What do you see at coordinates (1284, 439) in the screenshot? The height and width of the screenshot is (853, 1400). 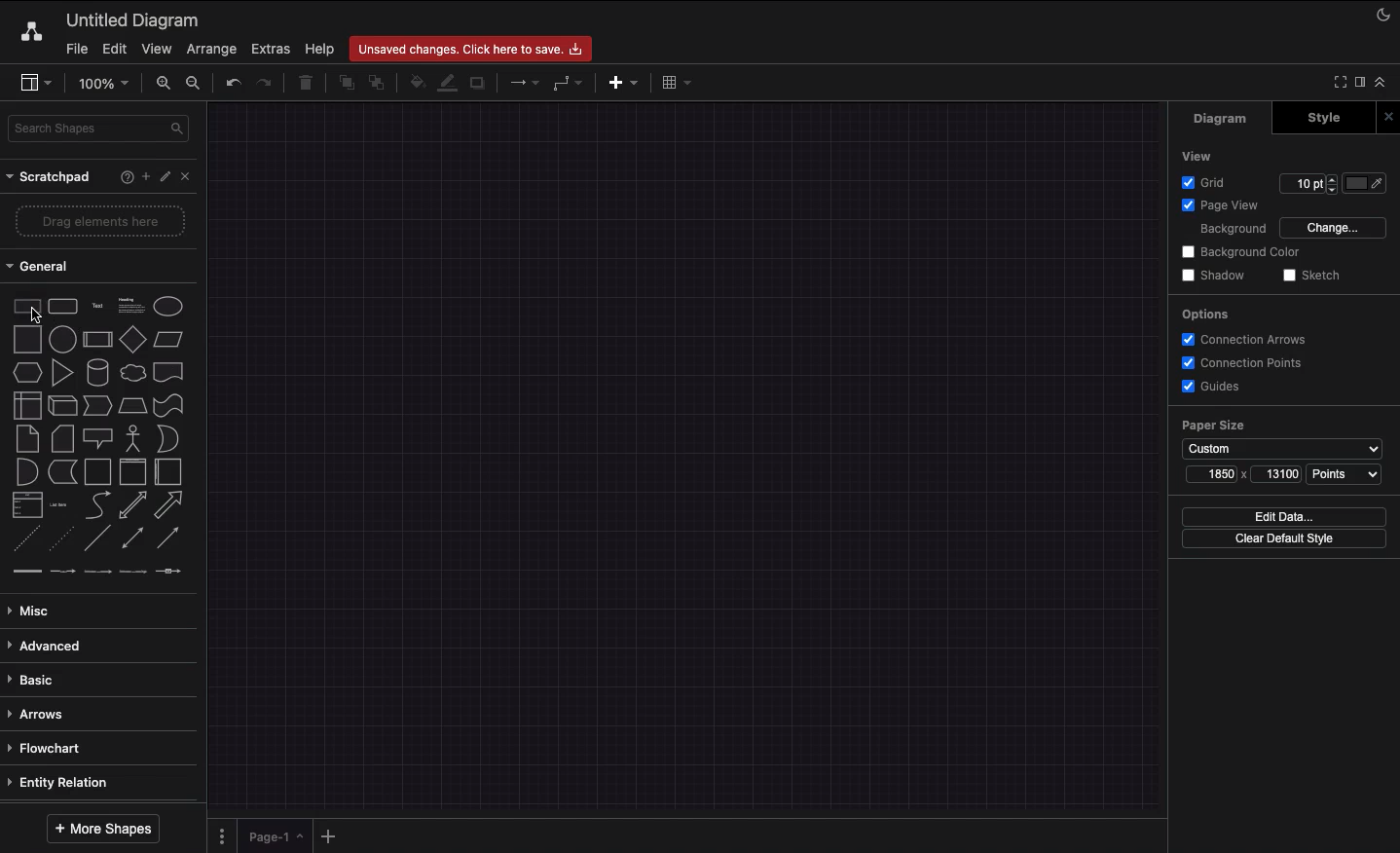 I see `Paper size` at bounding box center [1284, 439].